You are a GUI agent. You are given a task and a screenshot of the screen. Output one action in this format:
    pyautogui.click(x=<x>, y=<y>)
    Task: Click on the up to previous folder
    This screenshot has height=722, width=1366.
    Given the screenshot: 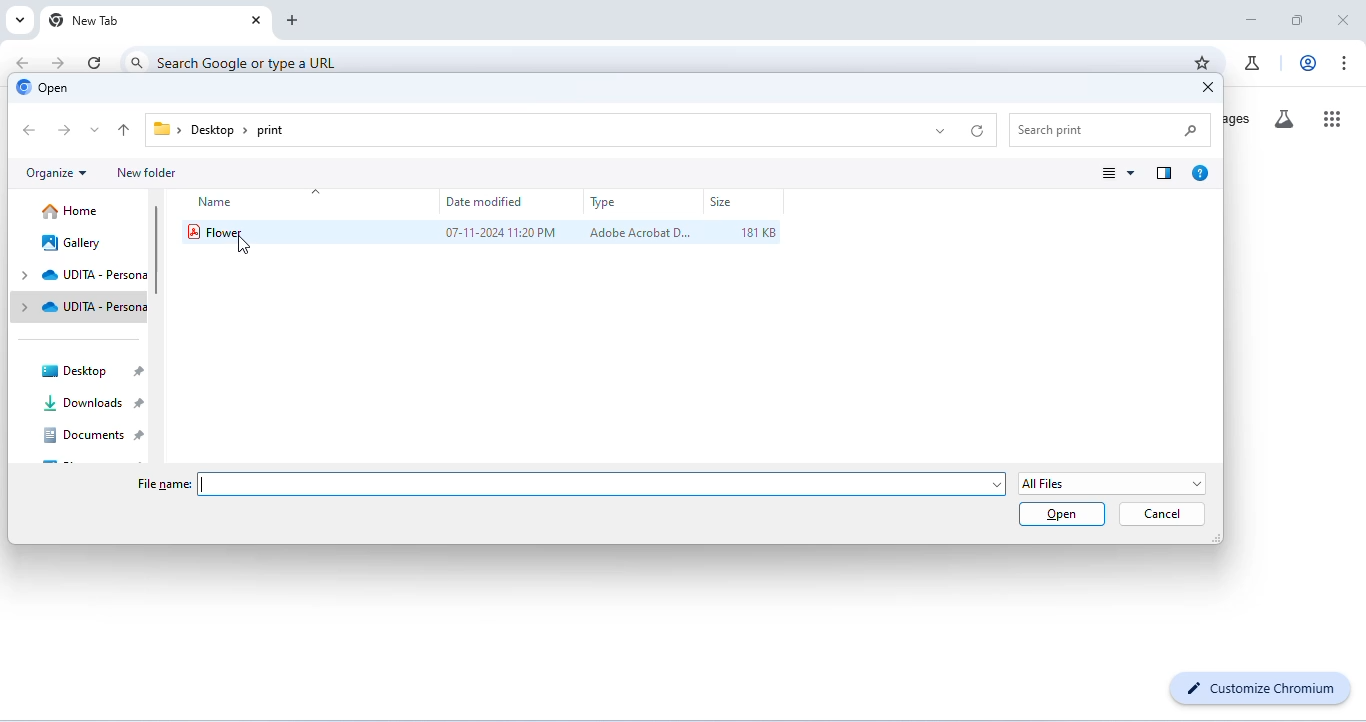 What is the action you would take?
    pyautogui.click(x=126, y=130)
    